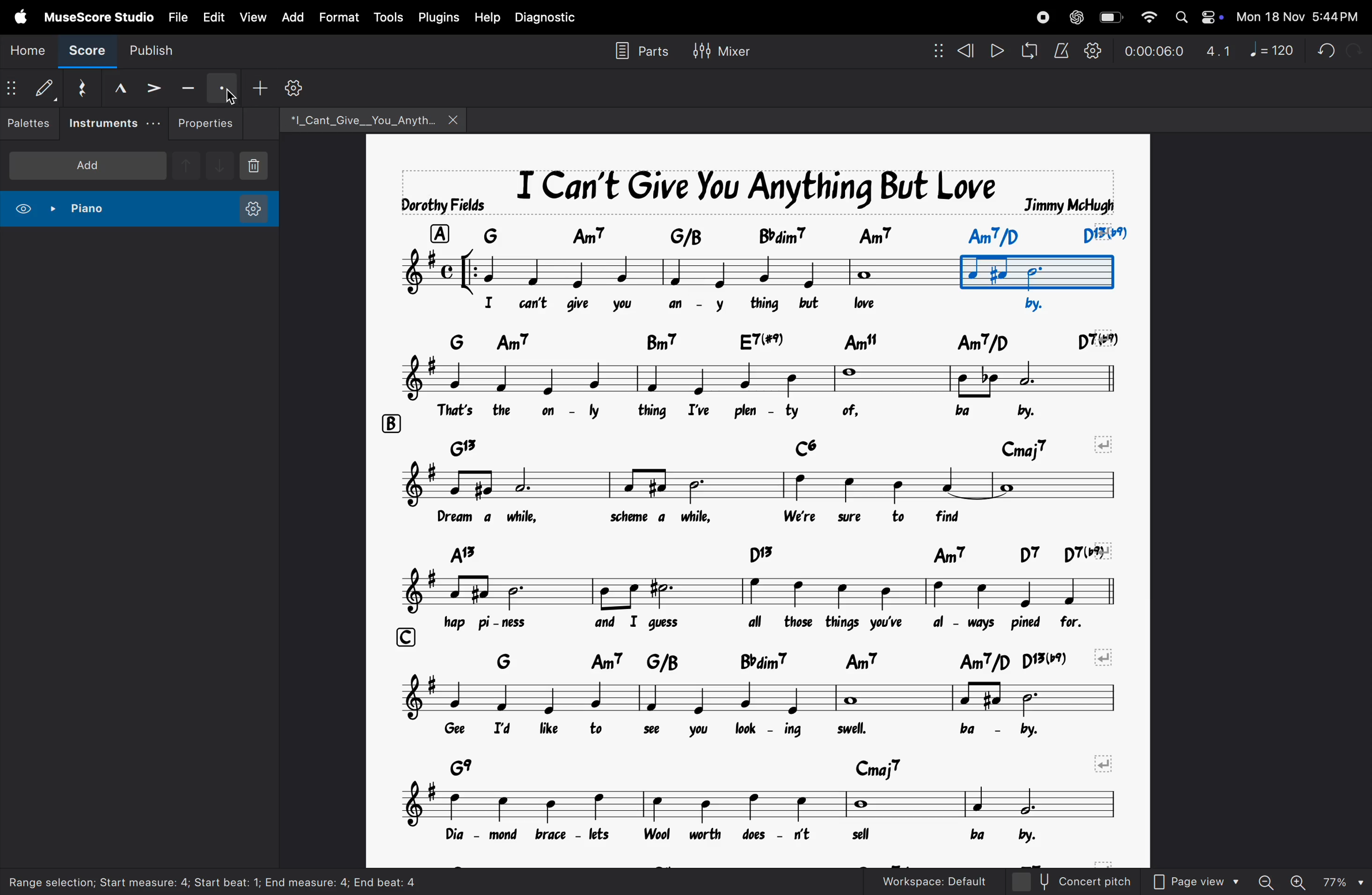 The width and height of the screenshot is (1372, 895). Describe the element at coordinates (217, 881) in the screenshot. I see `Range selection; start measure: 4; start beat: 1; End measure: 4; end beat: 4` at that location.